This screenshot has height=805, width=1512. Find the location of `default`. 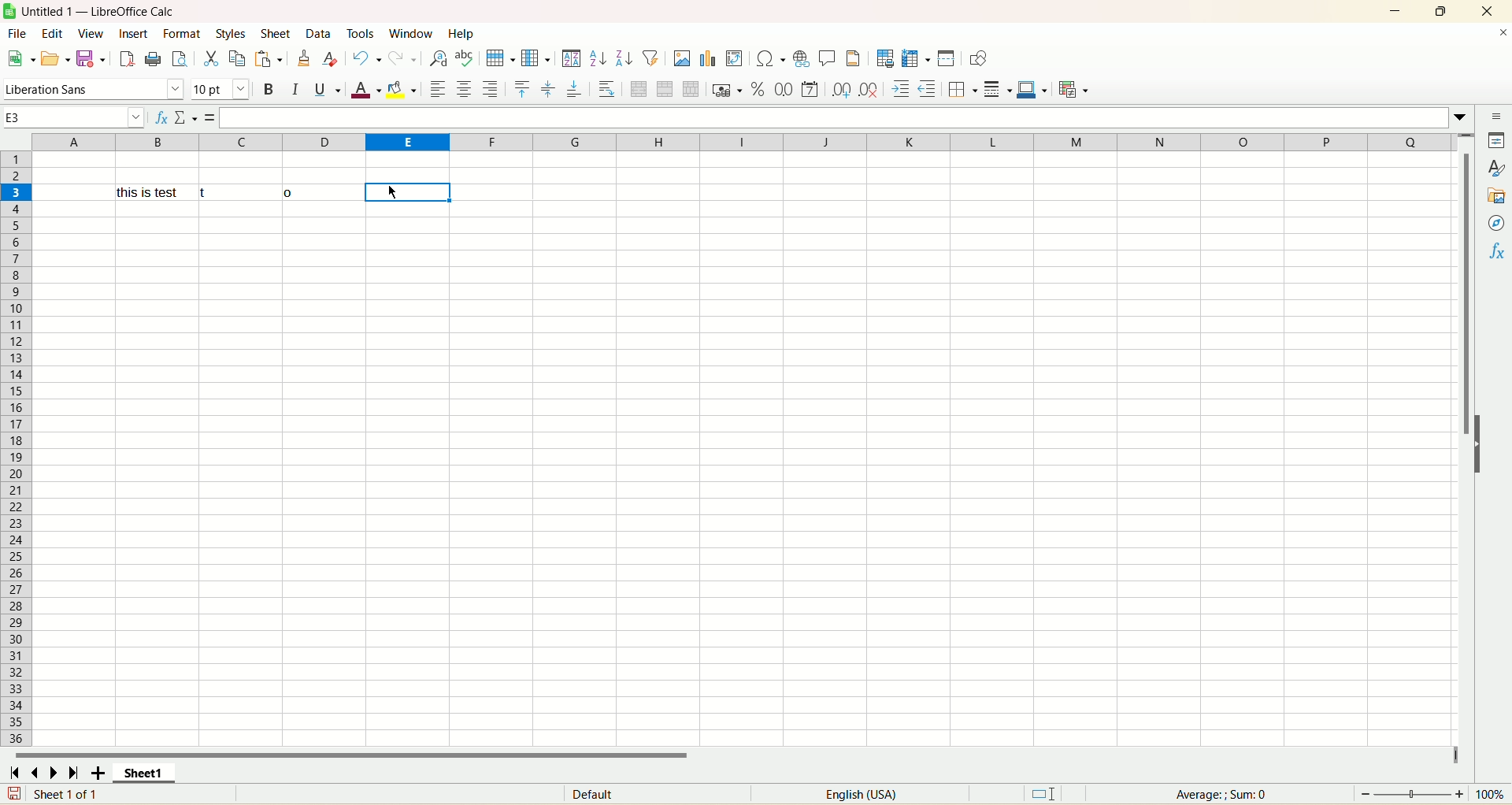

default is located at coordinates (608, 792).